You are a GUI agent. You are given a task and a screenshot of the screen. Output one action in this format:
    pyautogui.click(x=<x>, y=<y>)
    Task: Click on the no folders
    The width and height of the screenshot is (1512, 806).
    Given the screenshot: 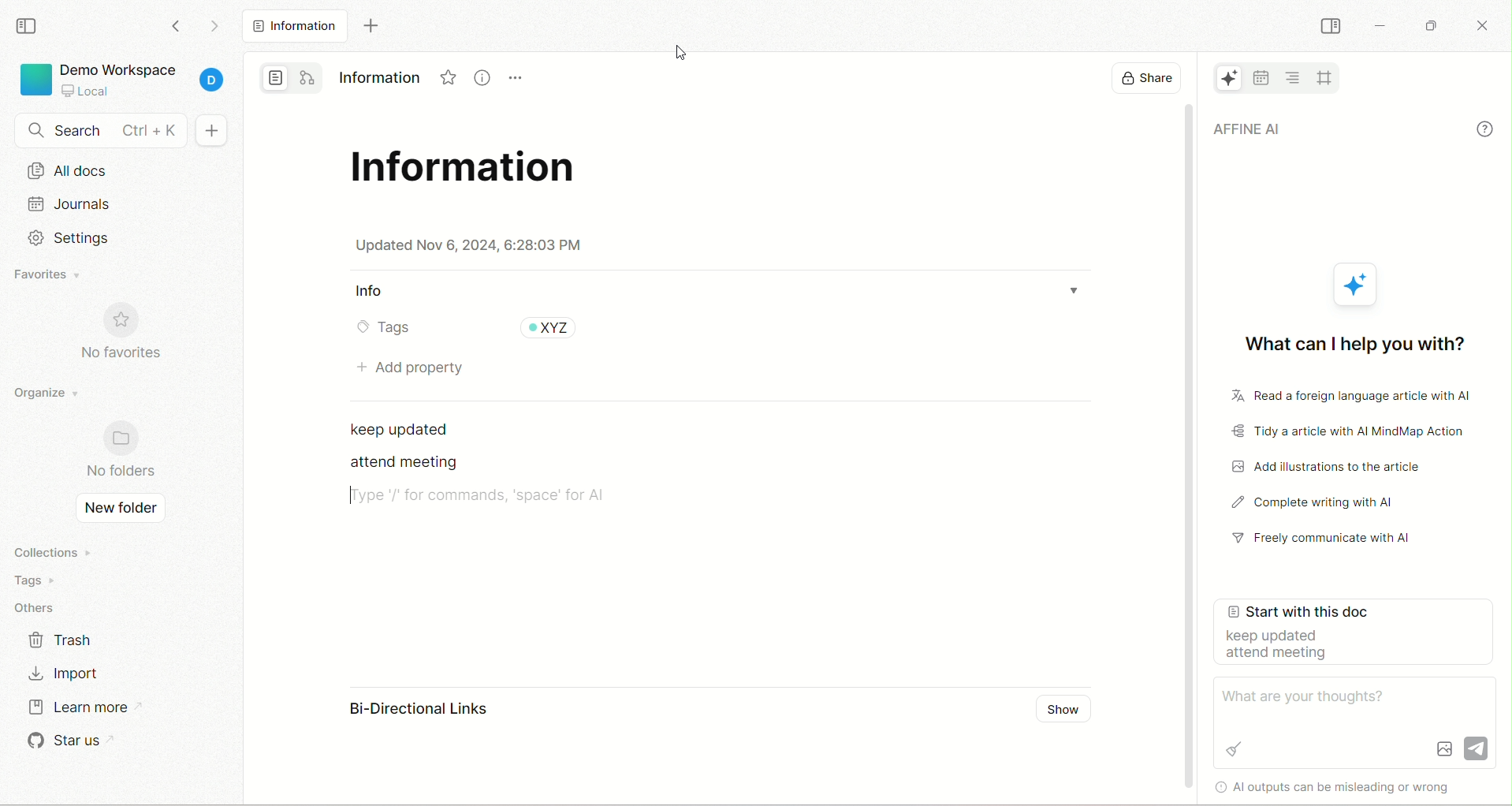 What is the action you would take?
    pyautogui.click(x=119, y=453)
    